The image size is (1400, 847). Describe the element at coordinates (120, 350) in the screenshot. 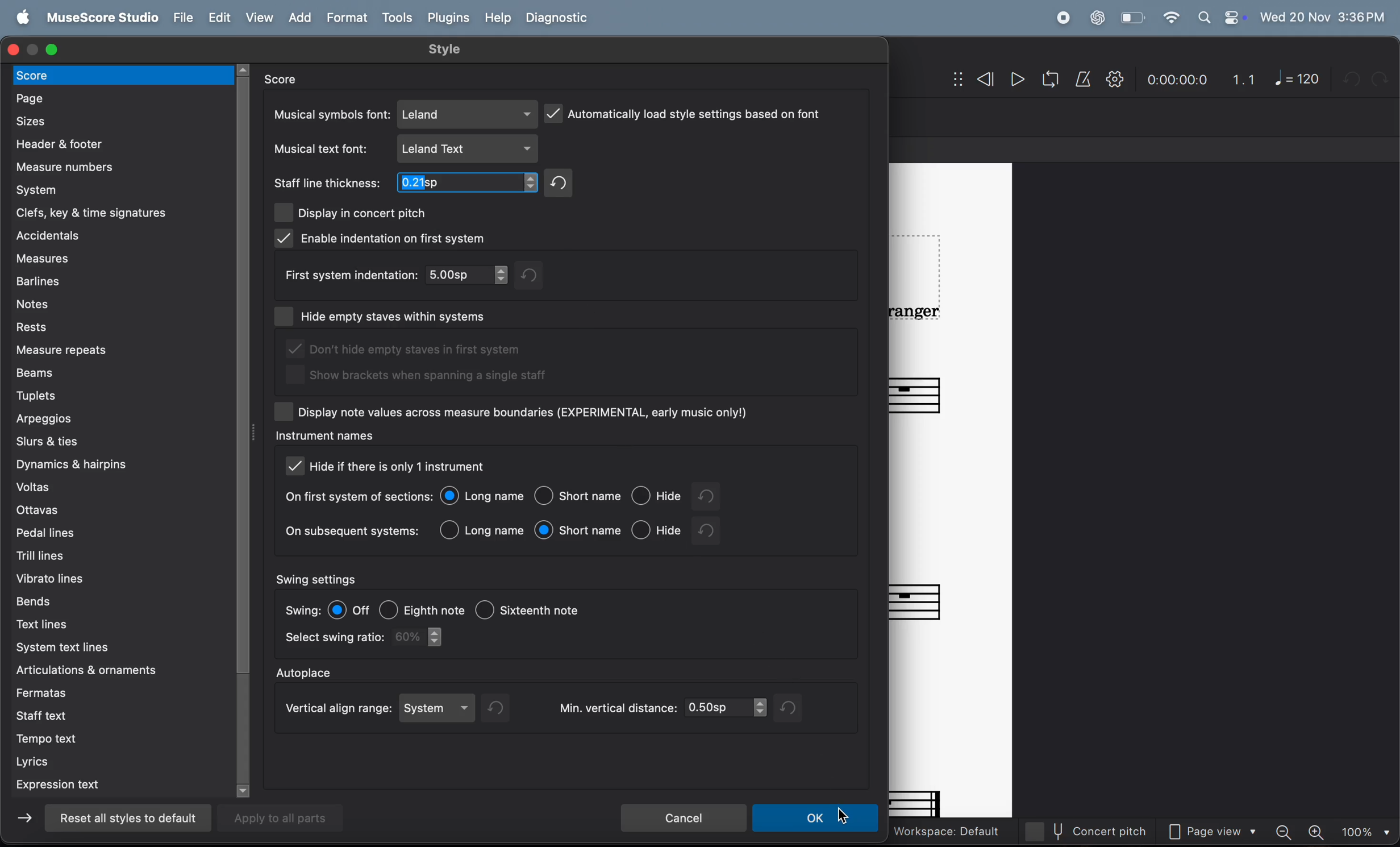

I see `measure repeats` at that location.